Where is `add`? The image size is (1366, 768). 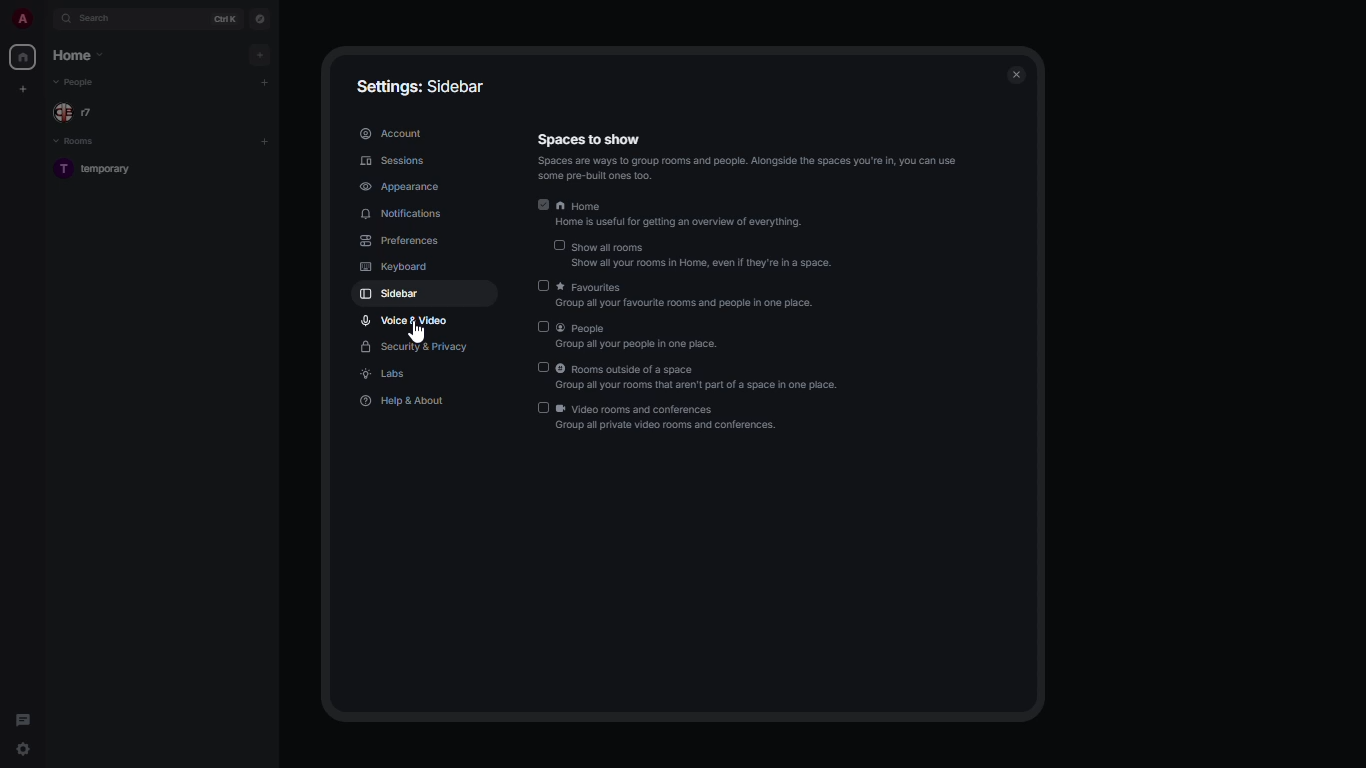 add is located at coordinates (264, 141).